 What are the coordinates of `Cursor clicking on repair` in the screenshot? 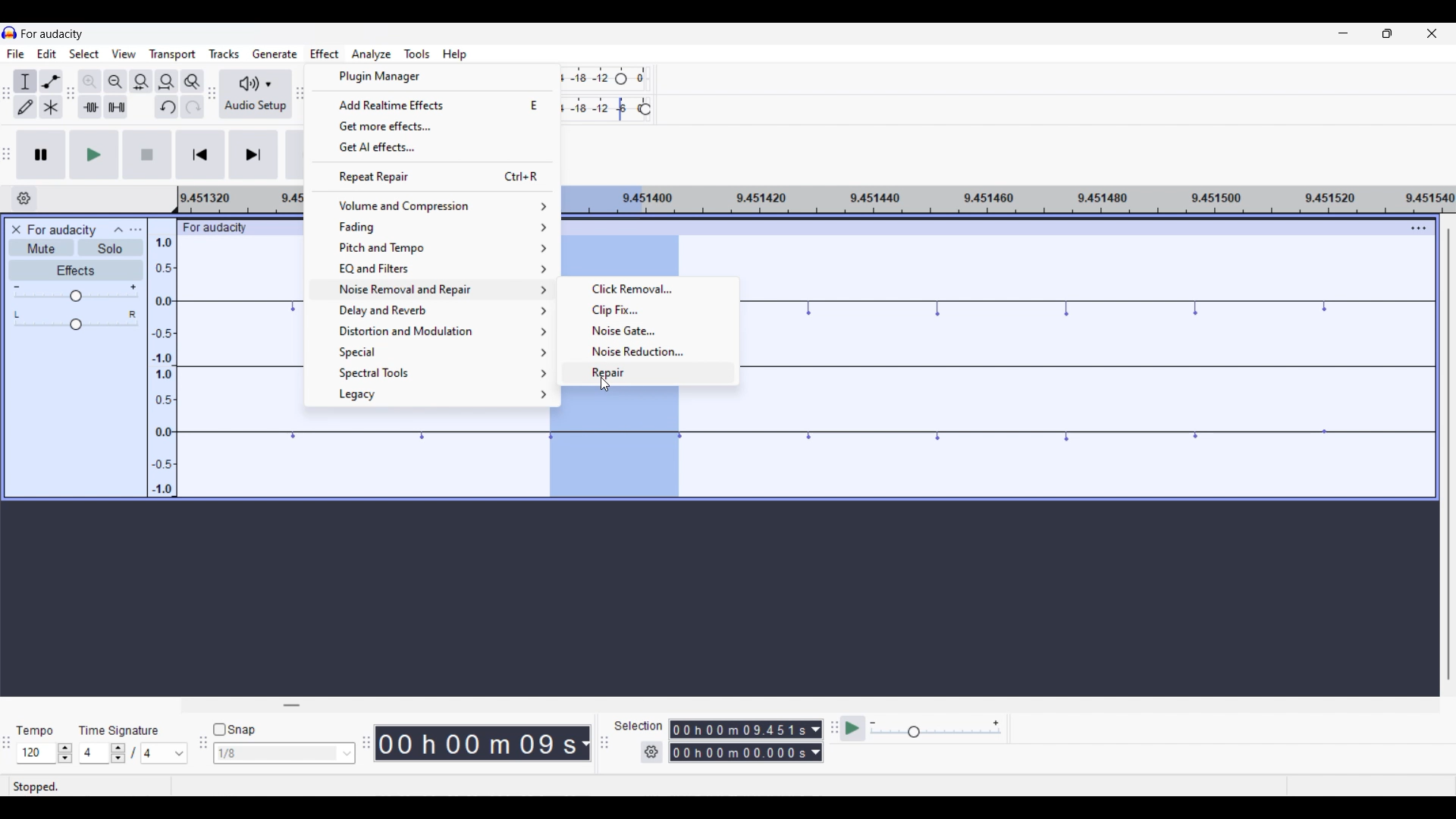 It's located at (605, 384).